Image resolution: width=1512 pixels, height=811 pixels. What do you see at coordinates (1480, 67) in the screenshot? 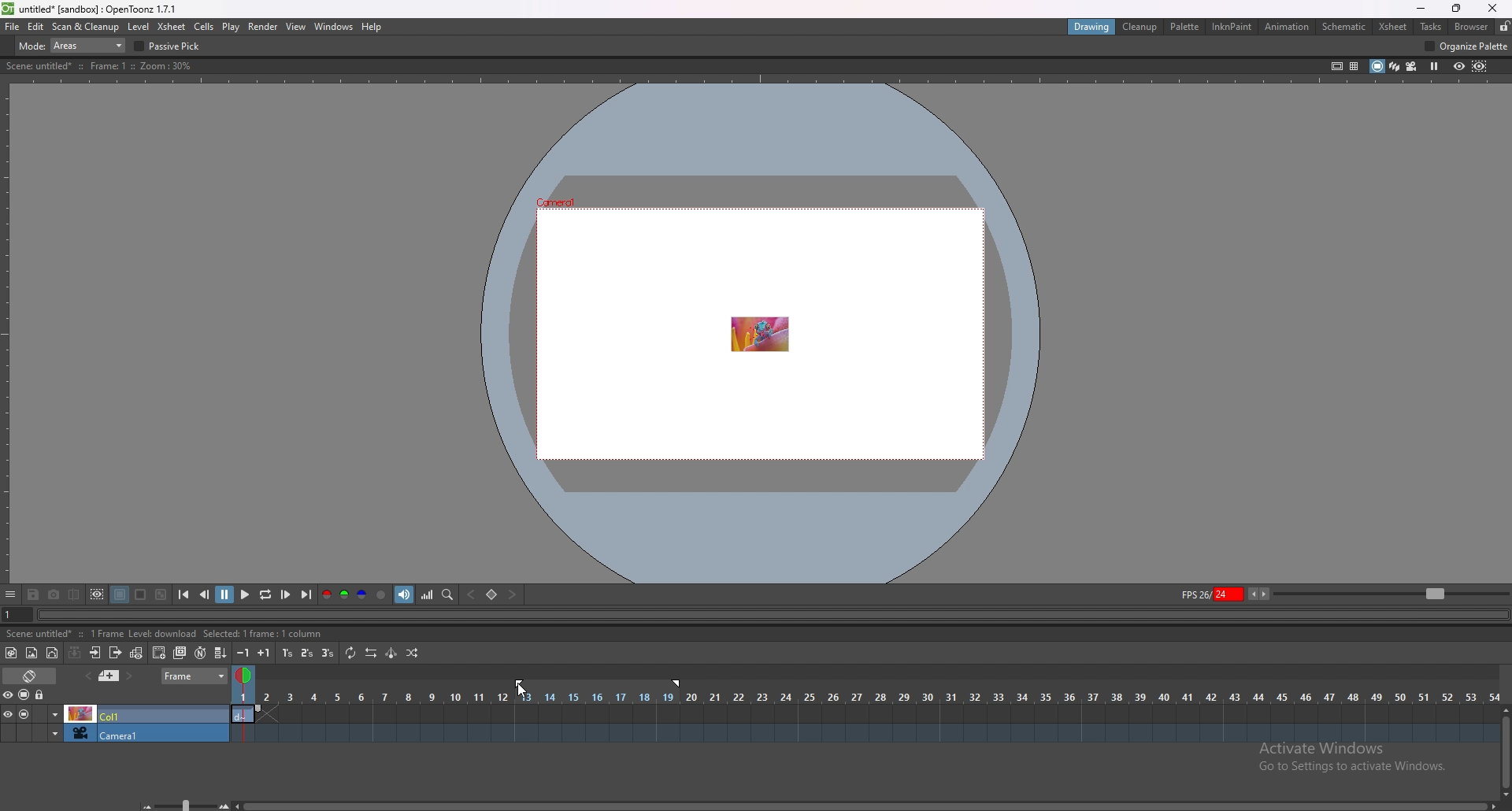
I see `sub camera preview` at bounding box center [1480, 67].